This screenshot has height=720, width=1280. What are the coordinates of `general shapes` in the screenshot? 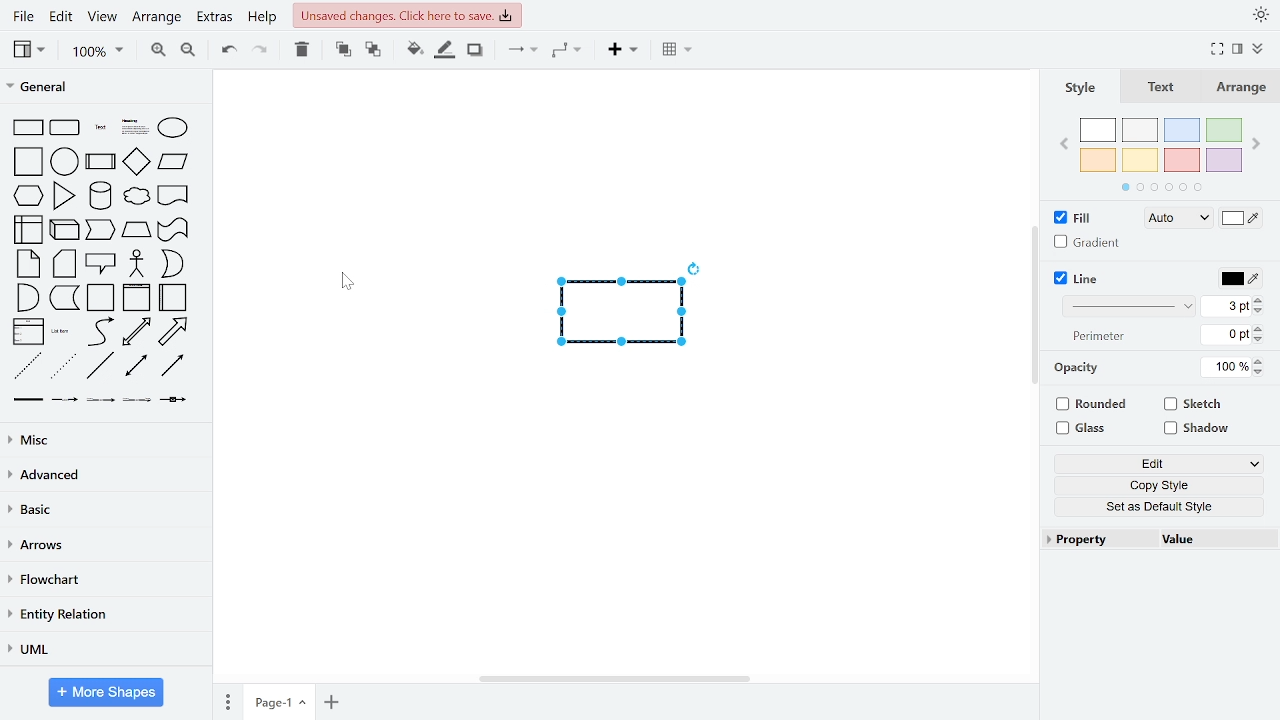 It's located at (172, 126).